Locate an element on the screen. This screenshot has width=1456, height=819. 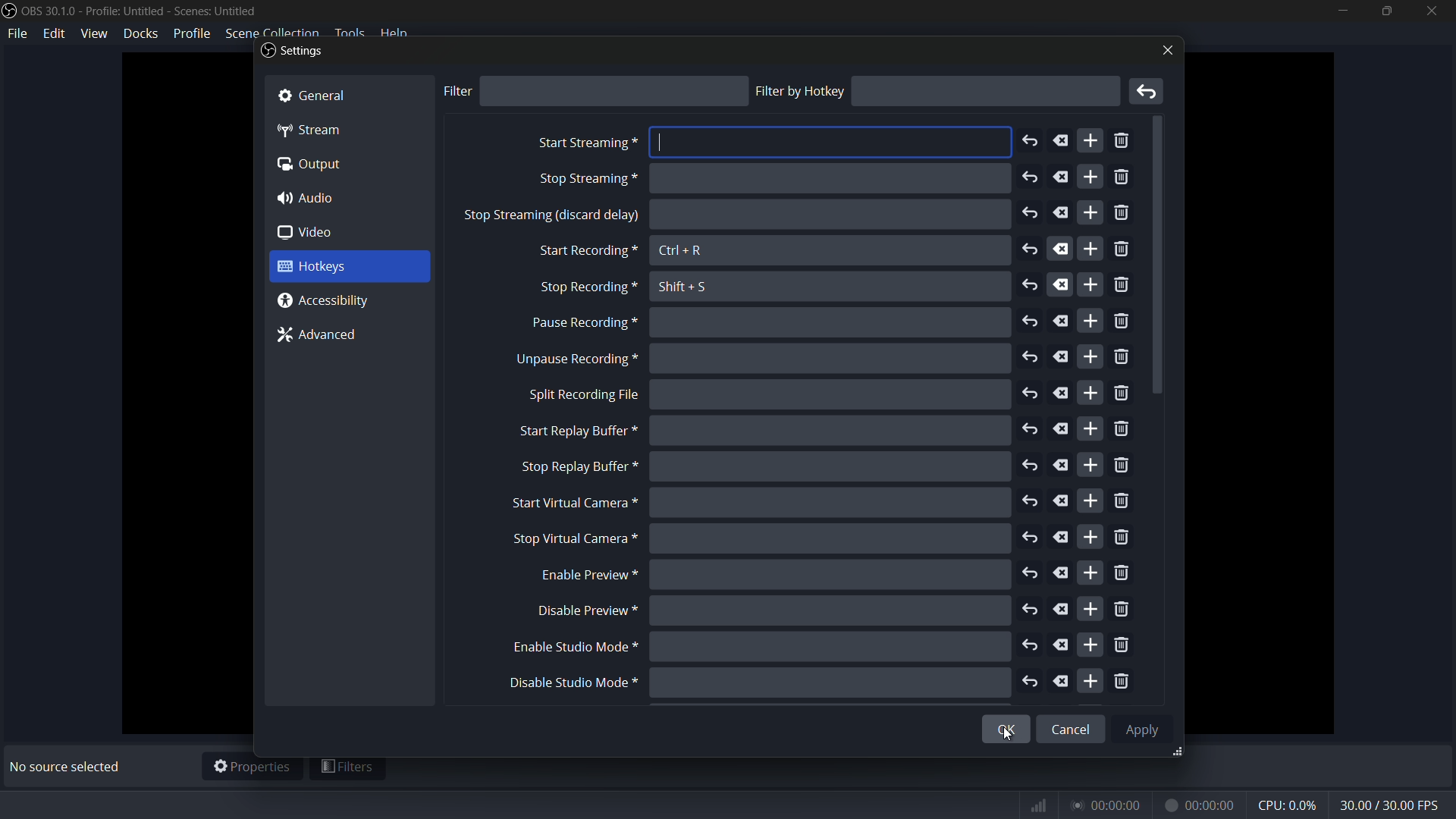
remove is located at coordinates (1125, 573).